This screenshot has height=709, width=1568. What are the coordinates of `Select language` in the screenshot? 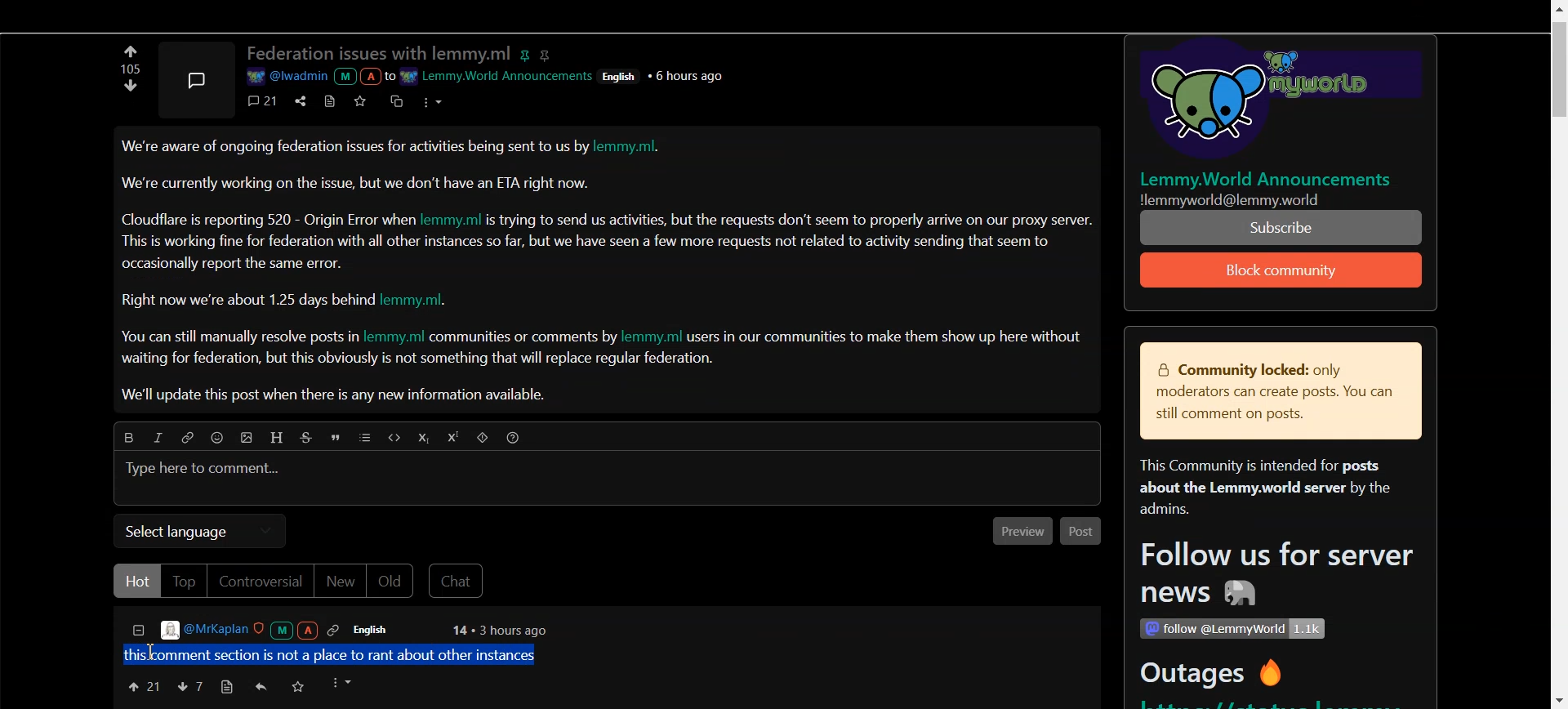 It's located at (199, 531).